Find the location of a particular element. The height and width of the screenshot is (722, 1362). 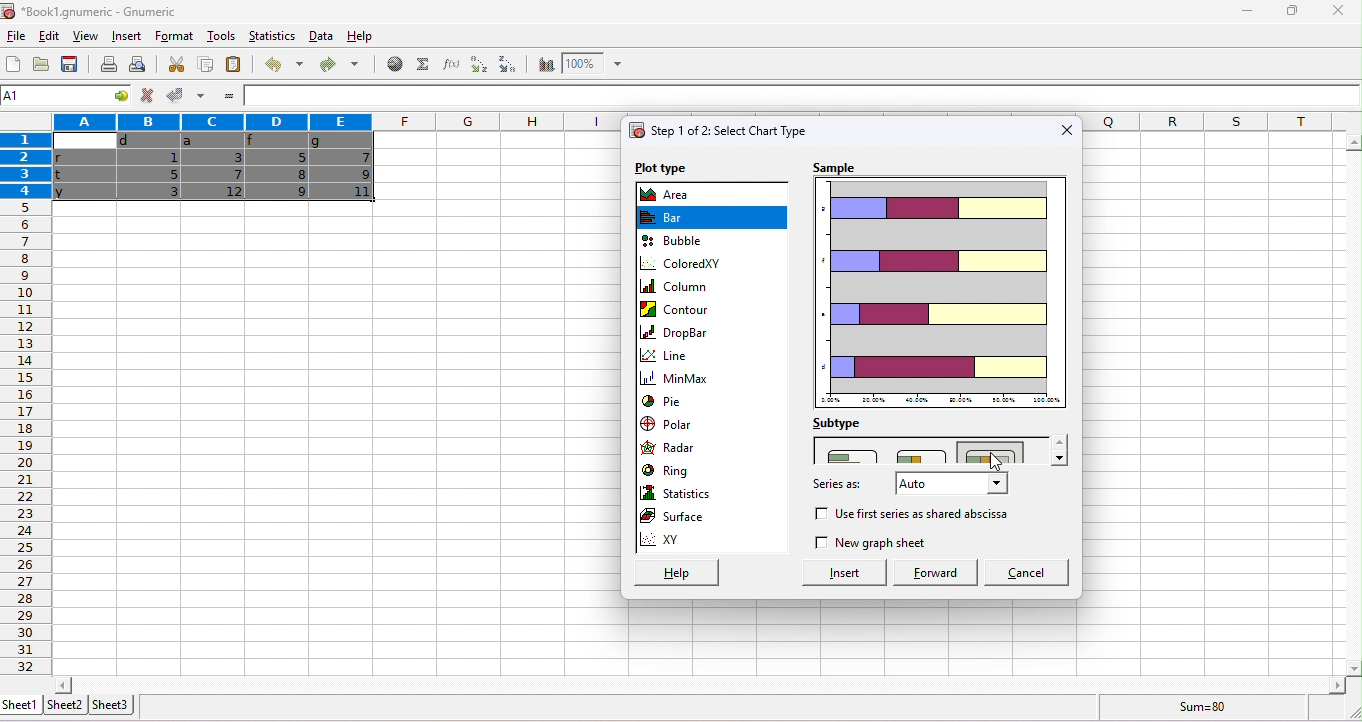

bubble is located at coordinates (679, 240).